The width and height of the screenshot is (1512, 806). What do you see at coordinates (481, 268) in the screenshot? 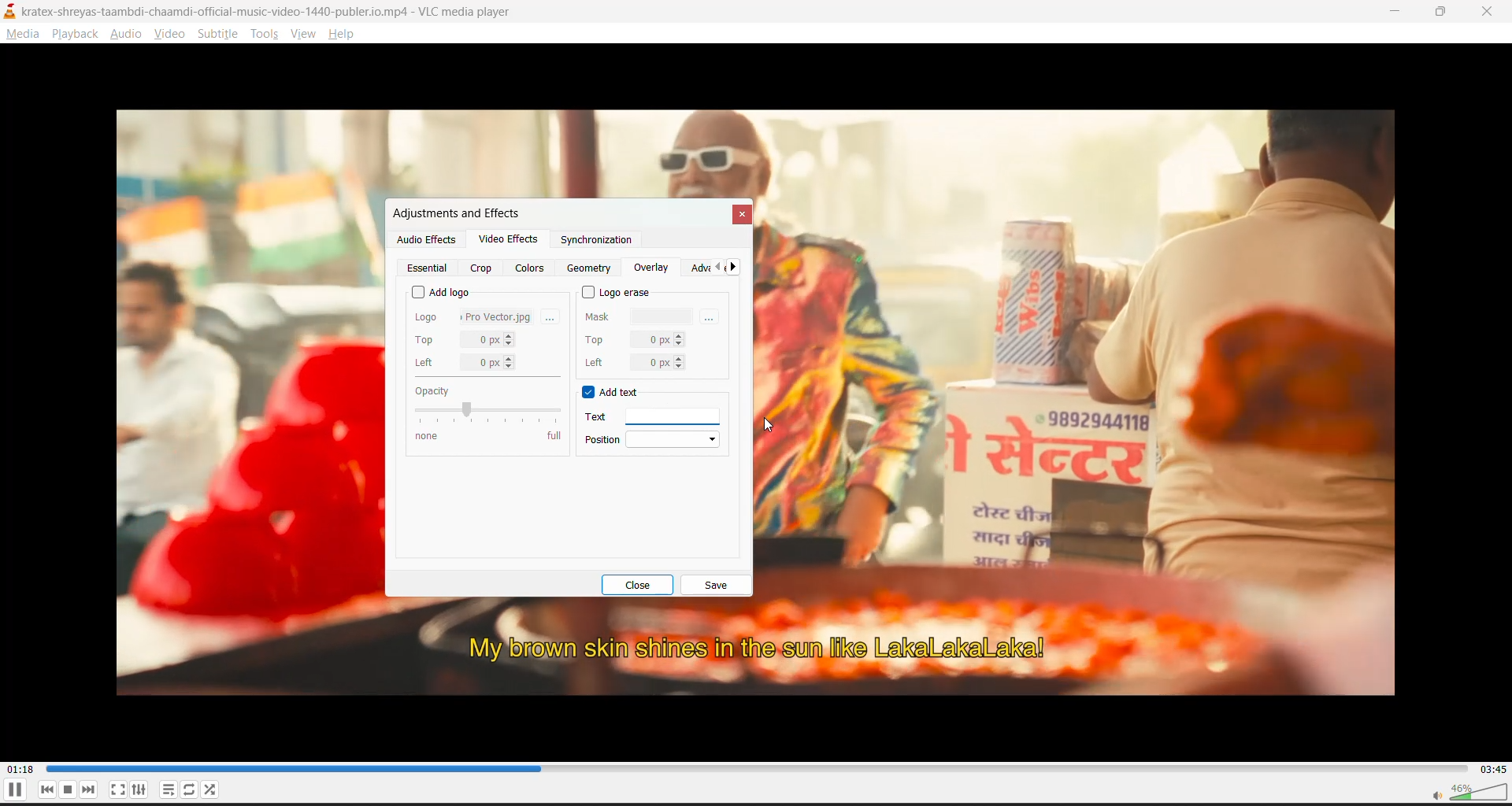
I see `crop` at bounding box center [481, 268].